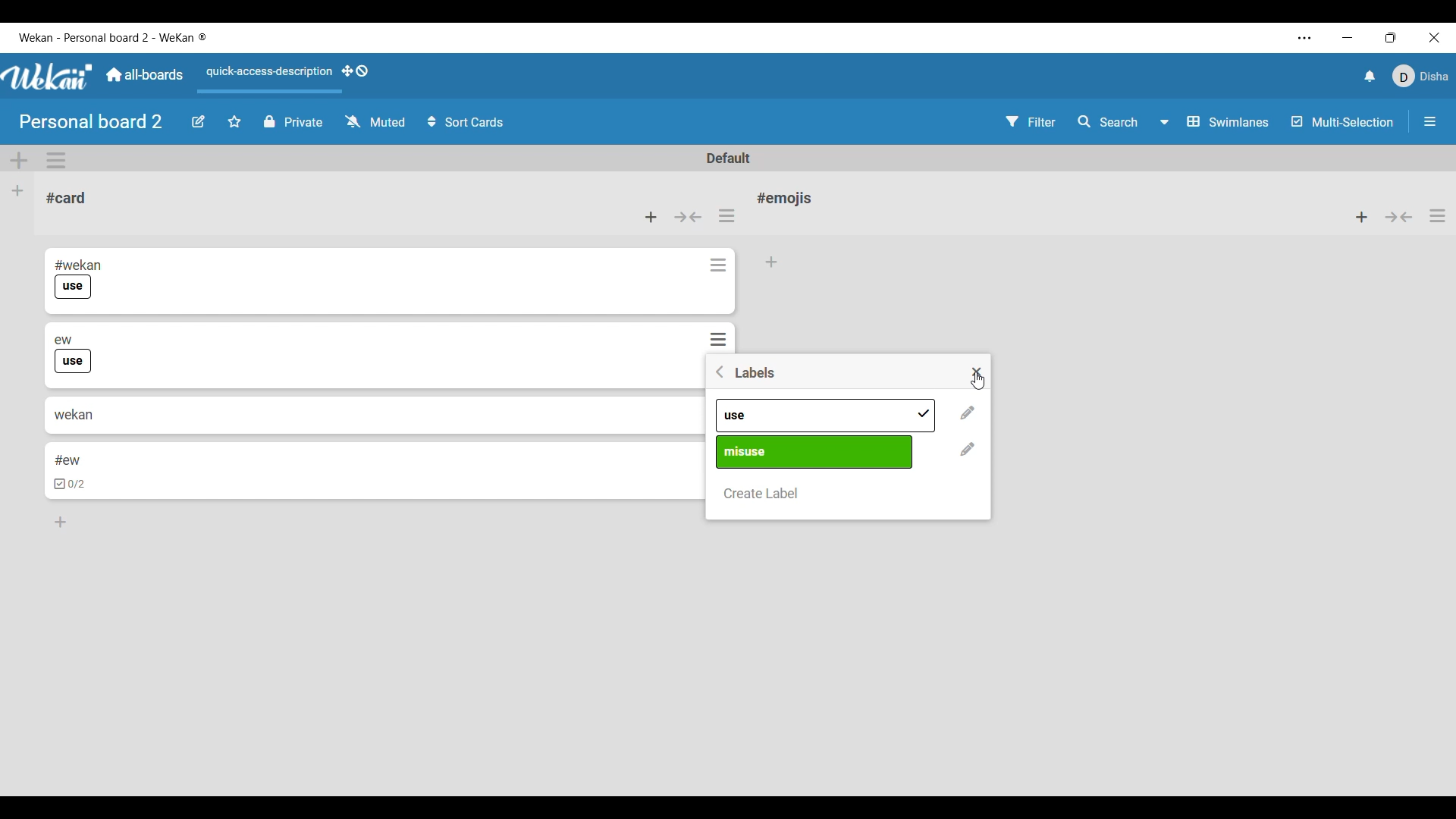 This screenshot has height=819, width=1456. I want to click on #wekan, so click(79, 264).